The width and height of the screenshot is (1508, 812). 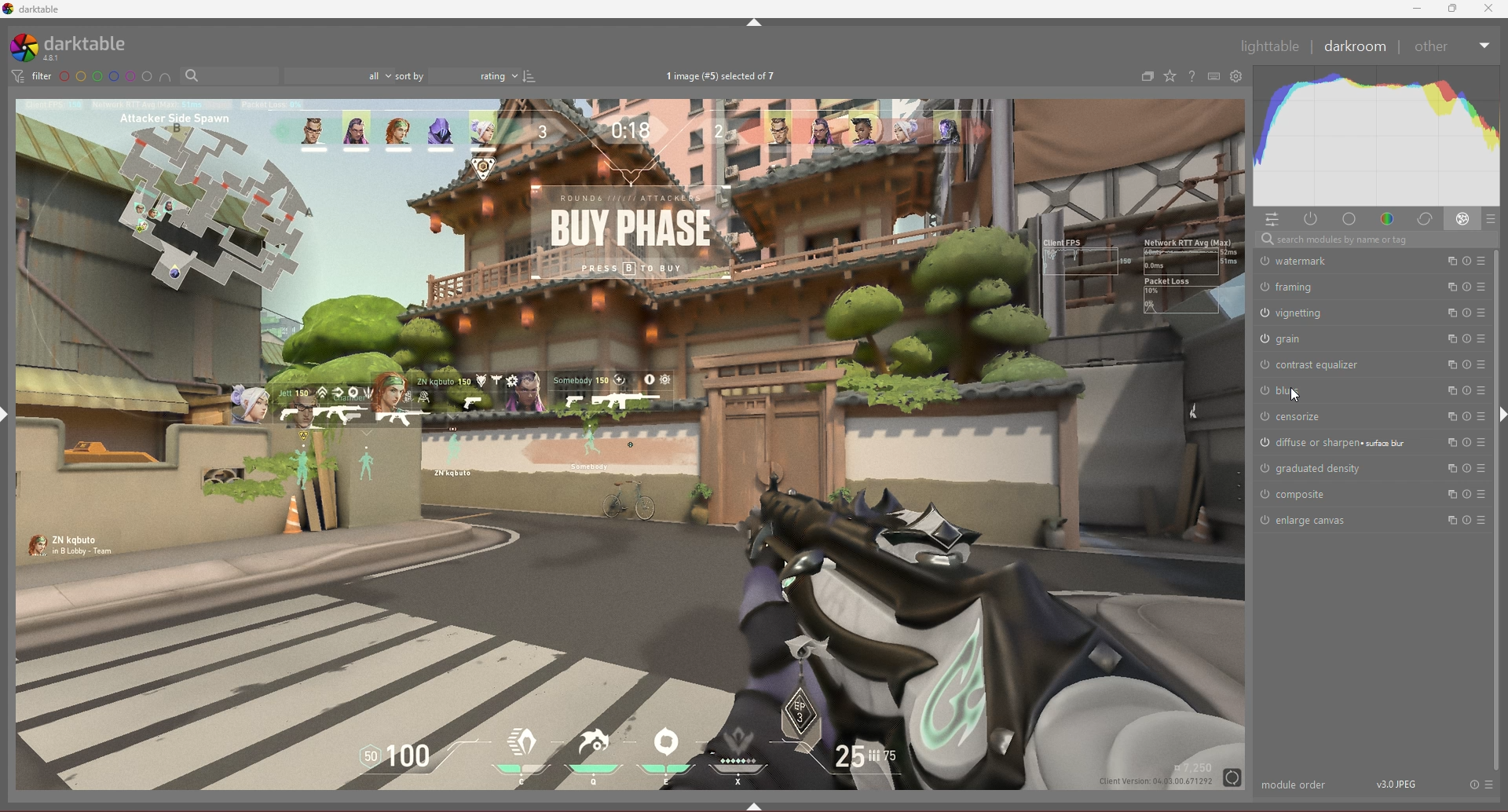 I want to click on darkroom, so click(x=1356, y=46).